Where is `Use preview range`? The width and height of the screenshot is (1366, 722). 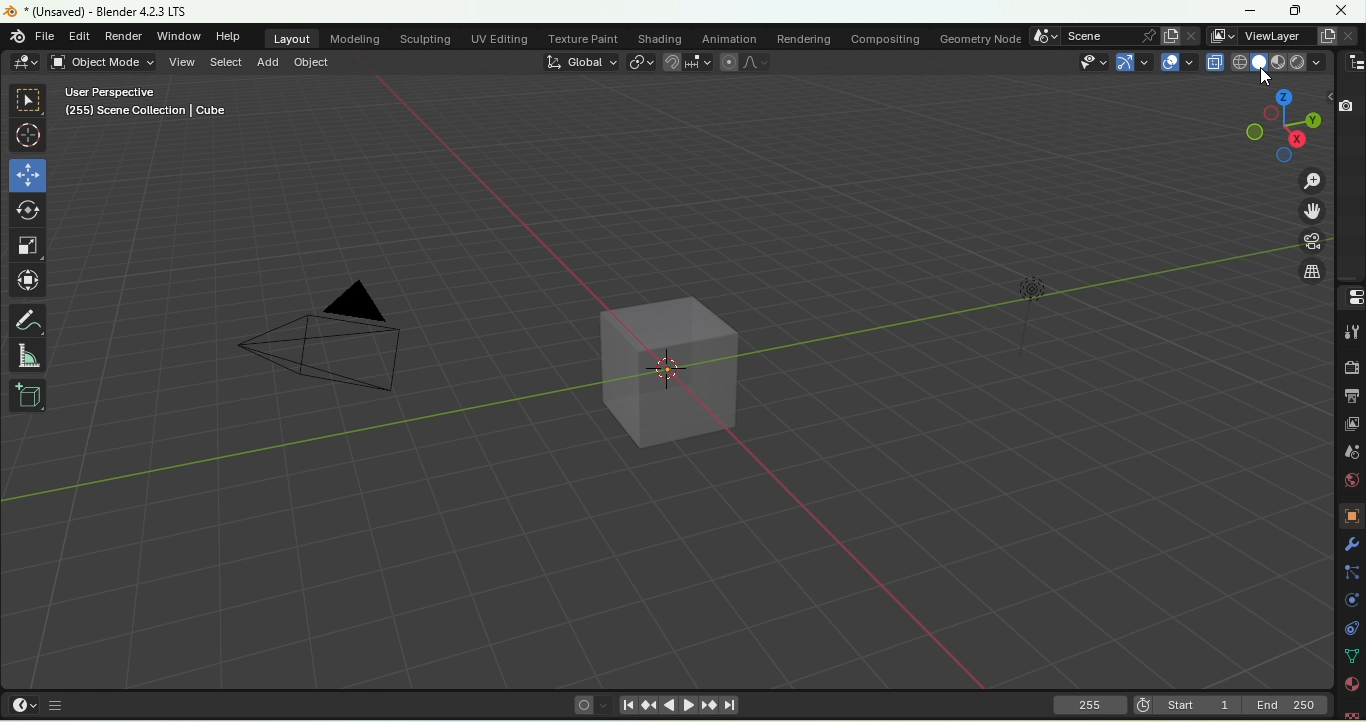
Use preview range is located at coordinates (1142, 704).